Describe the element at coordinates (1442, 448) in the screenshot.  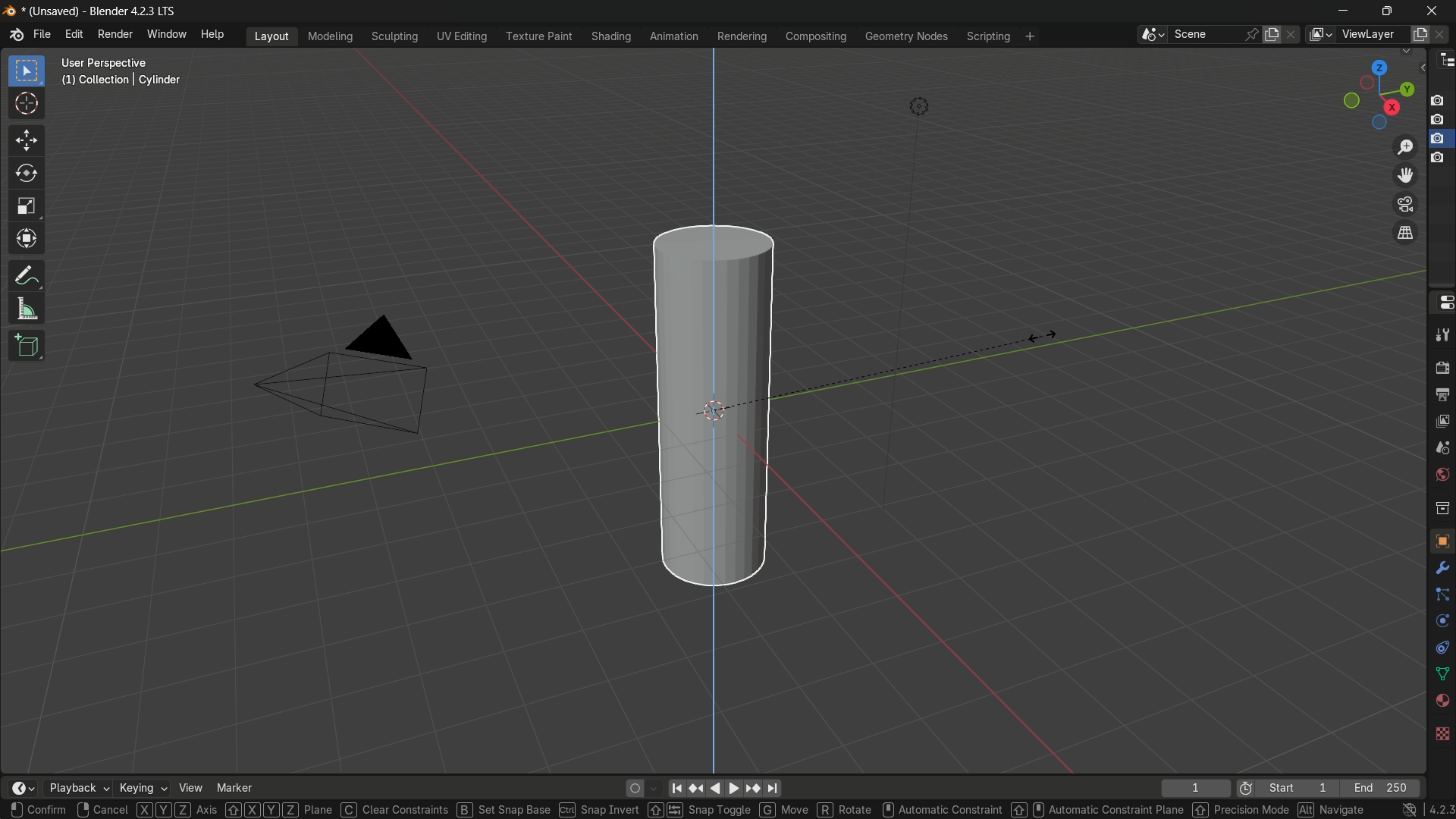
I see `scenes` at that location.